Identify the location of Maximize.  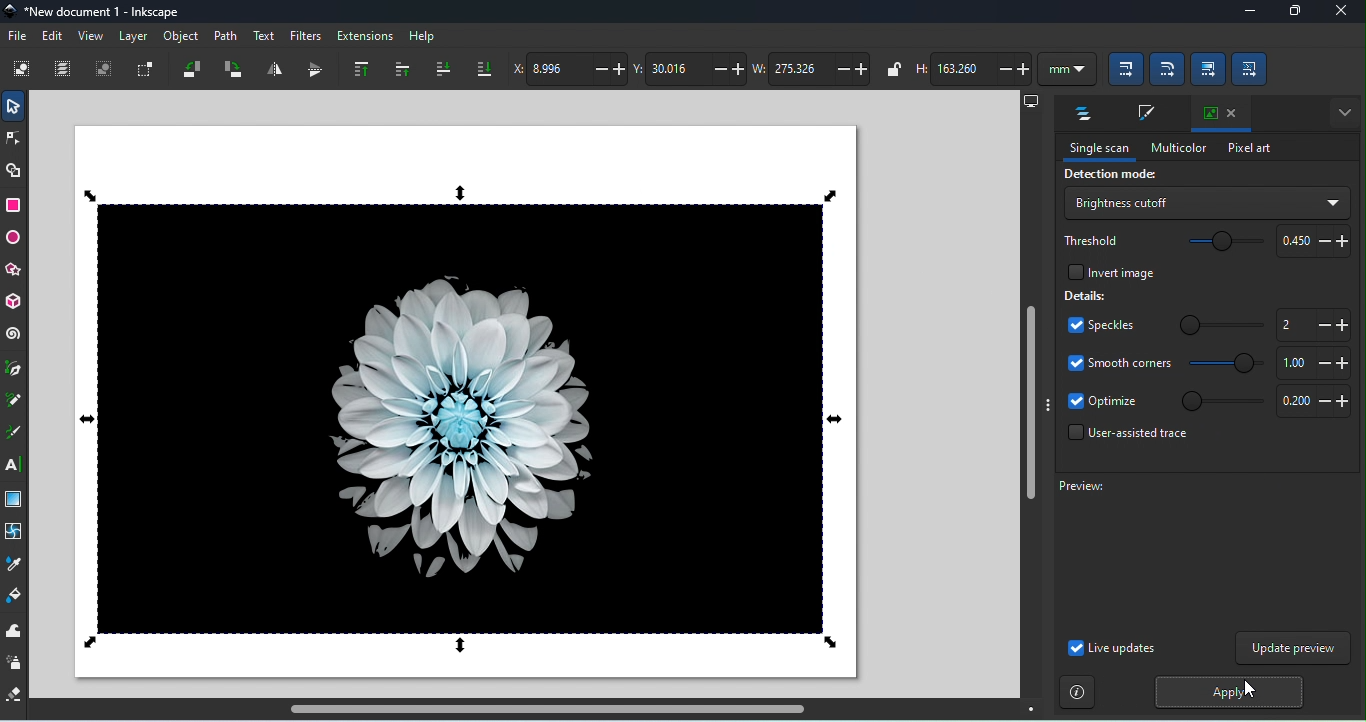
(1291, 13).